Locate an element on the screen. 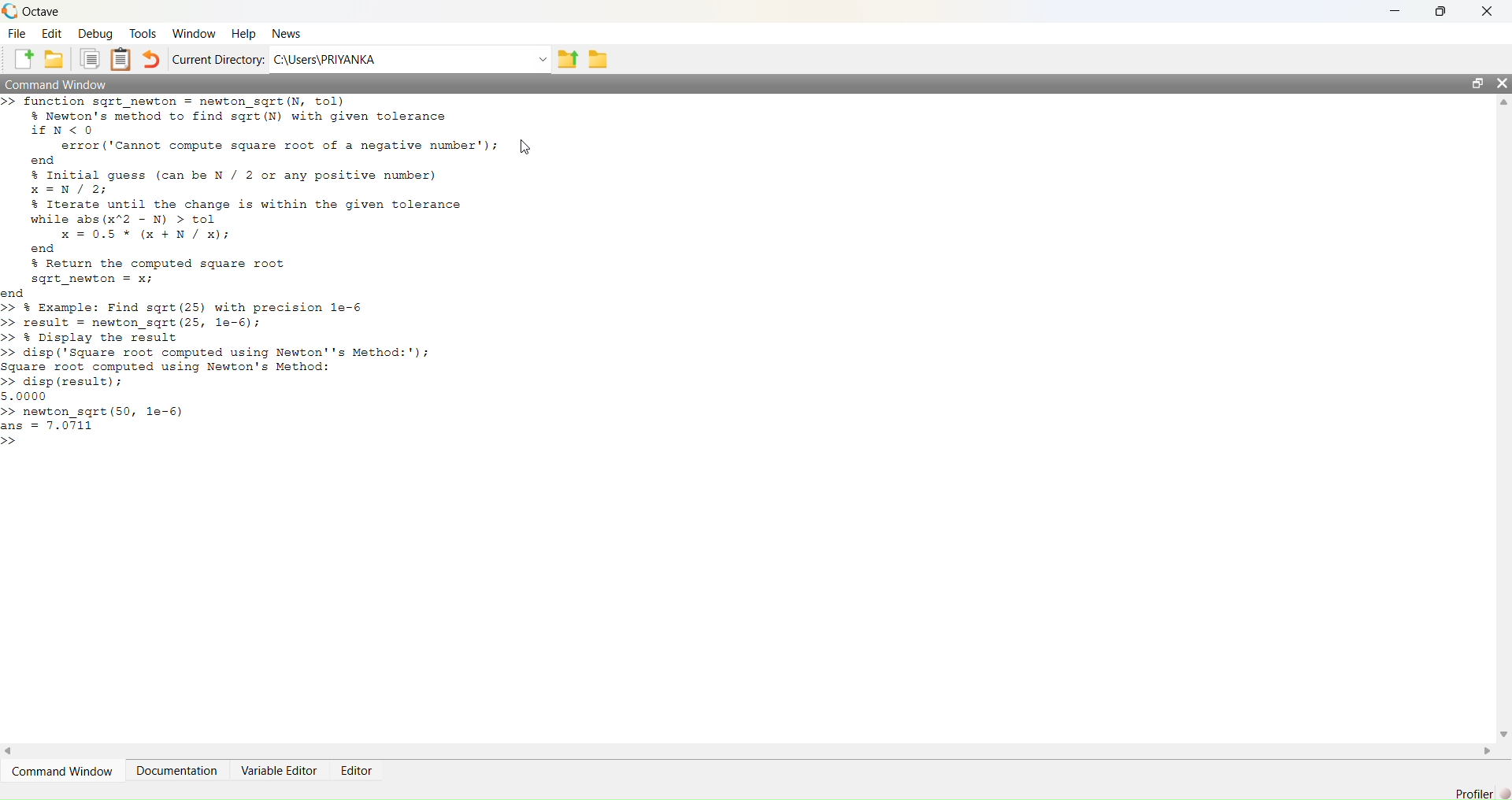 This screenshot has width=1512, height=800. Close is located at coordinates (1485, 11).